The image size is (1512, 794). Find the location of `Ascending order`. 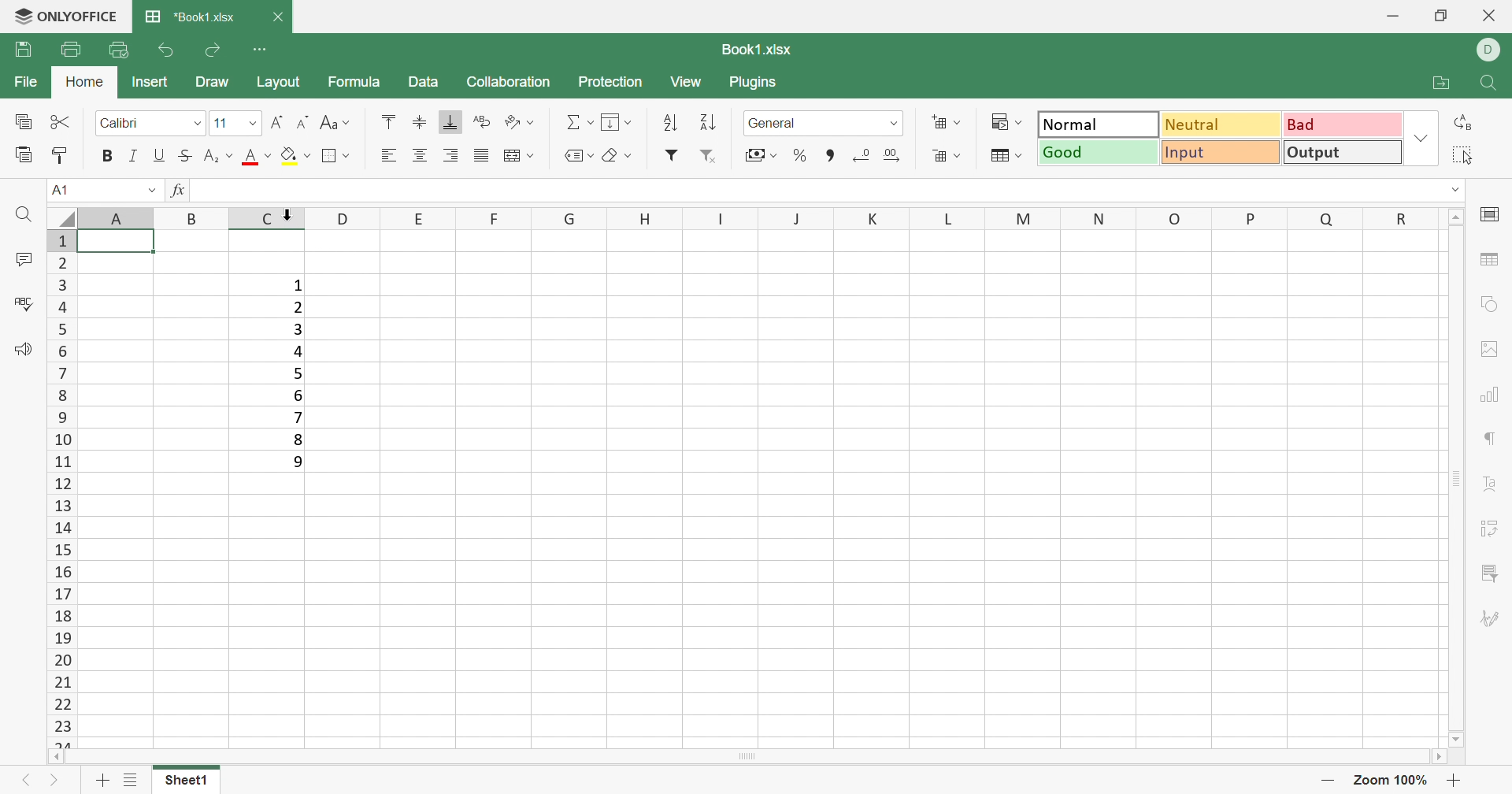

Ascending order is located at coordinates (670, 122).